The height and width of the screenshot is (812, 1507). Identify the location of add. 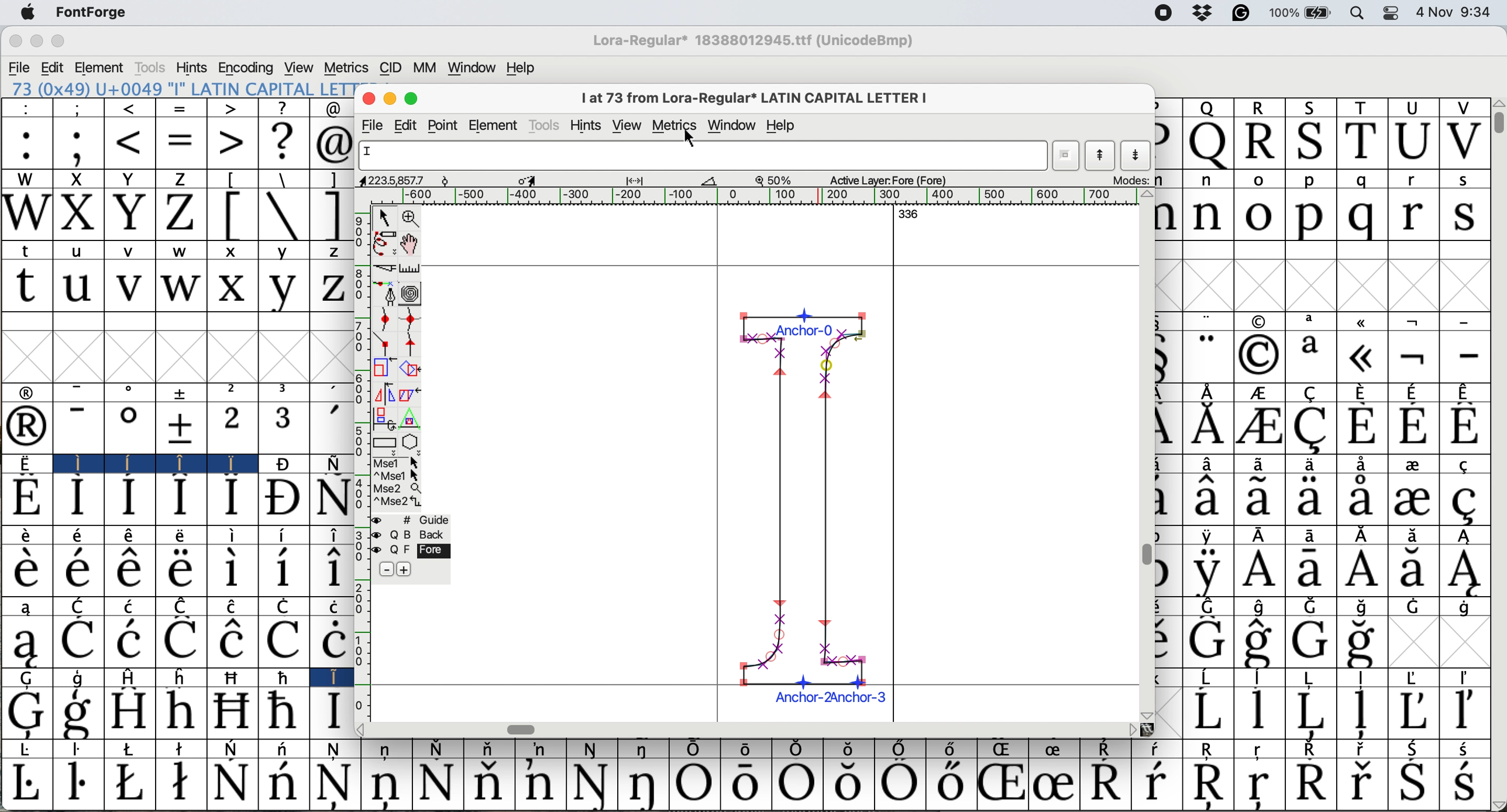
(406, 569).